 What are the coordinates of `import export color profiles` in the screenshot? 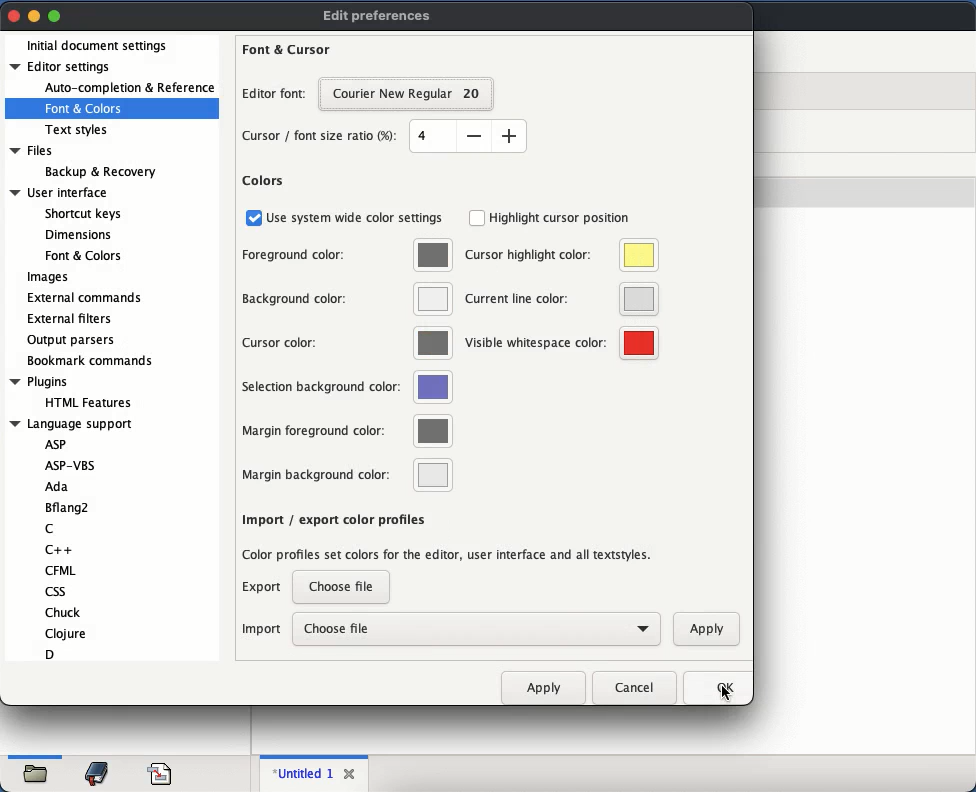 It's located at (450, 536).